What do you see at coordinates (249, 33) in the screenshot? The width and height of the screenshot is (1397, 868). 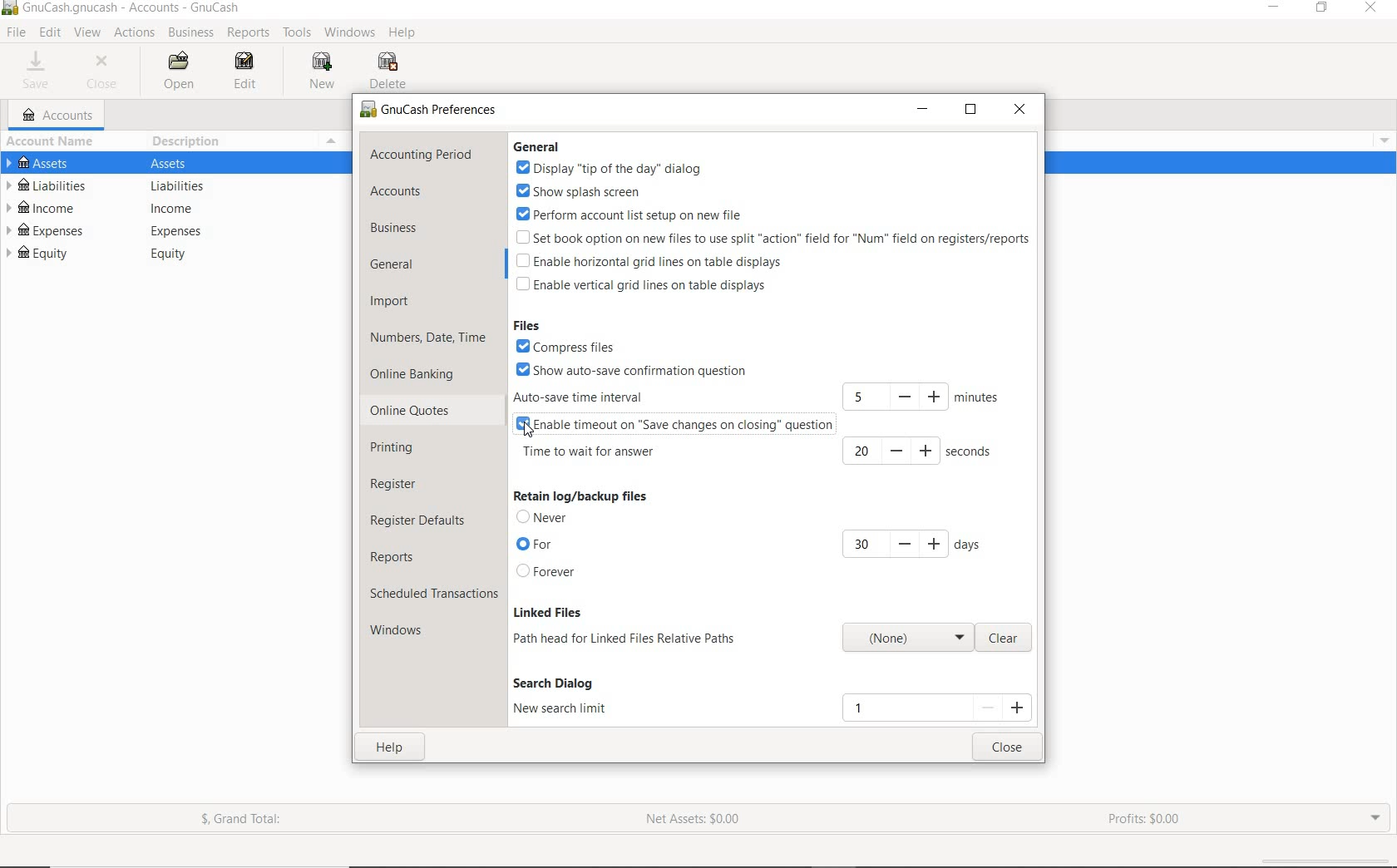 I see `REPORTS` at bounding box center [249, 33].